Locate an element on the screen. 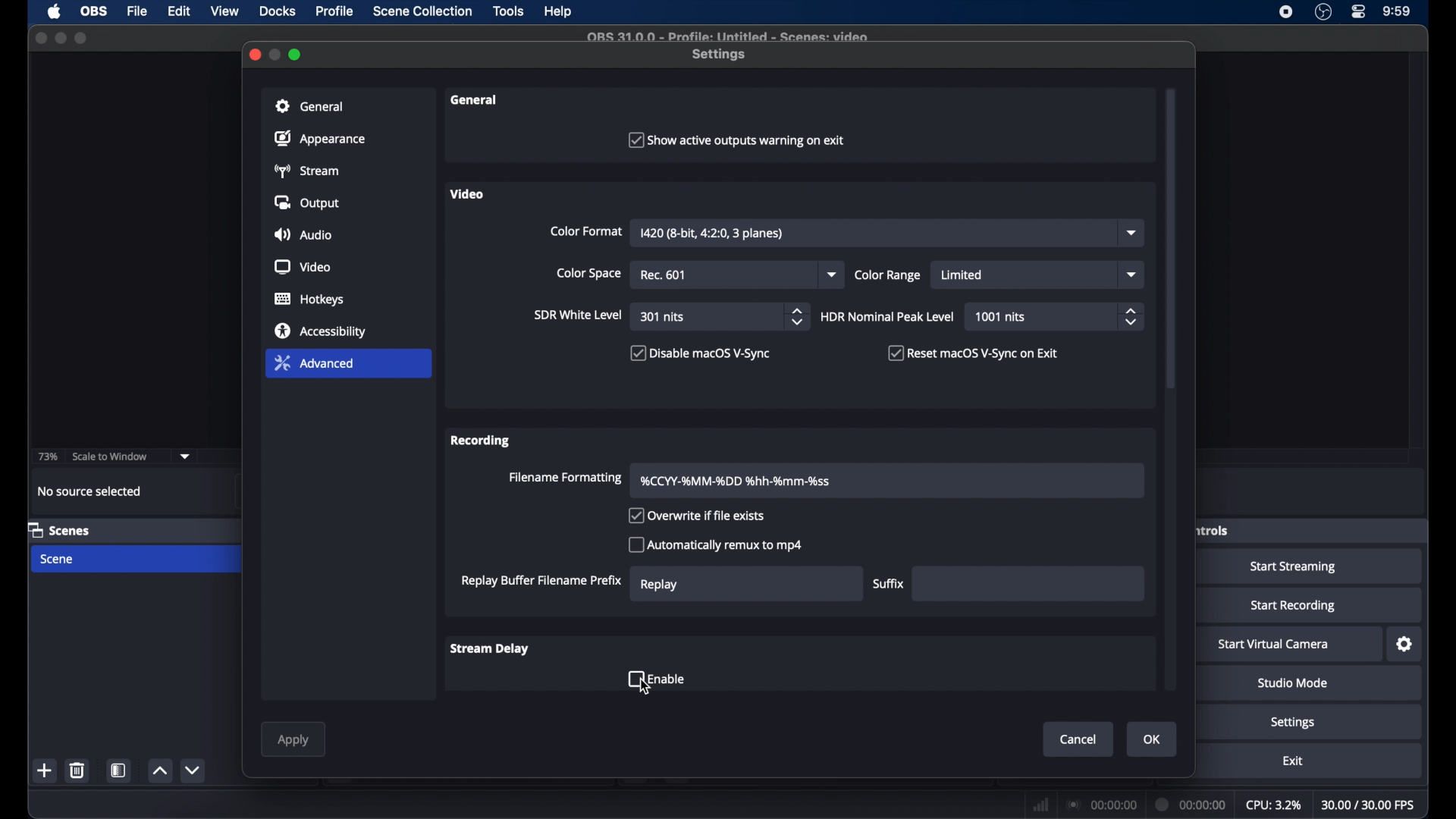 This screenshot has height=819, width=1456. checkbox is located at coordinates (734, 139).